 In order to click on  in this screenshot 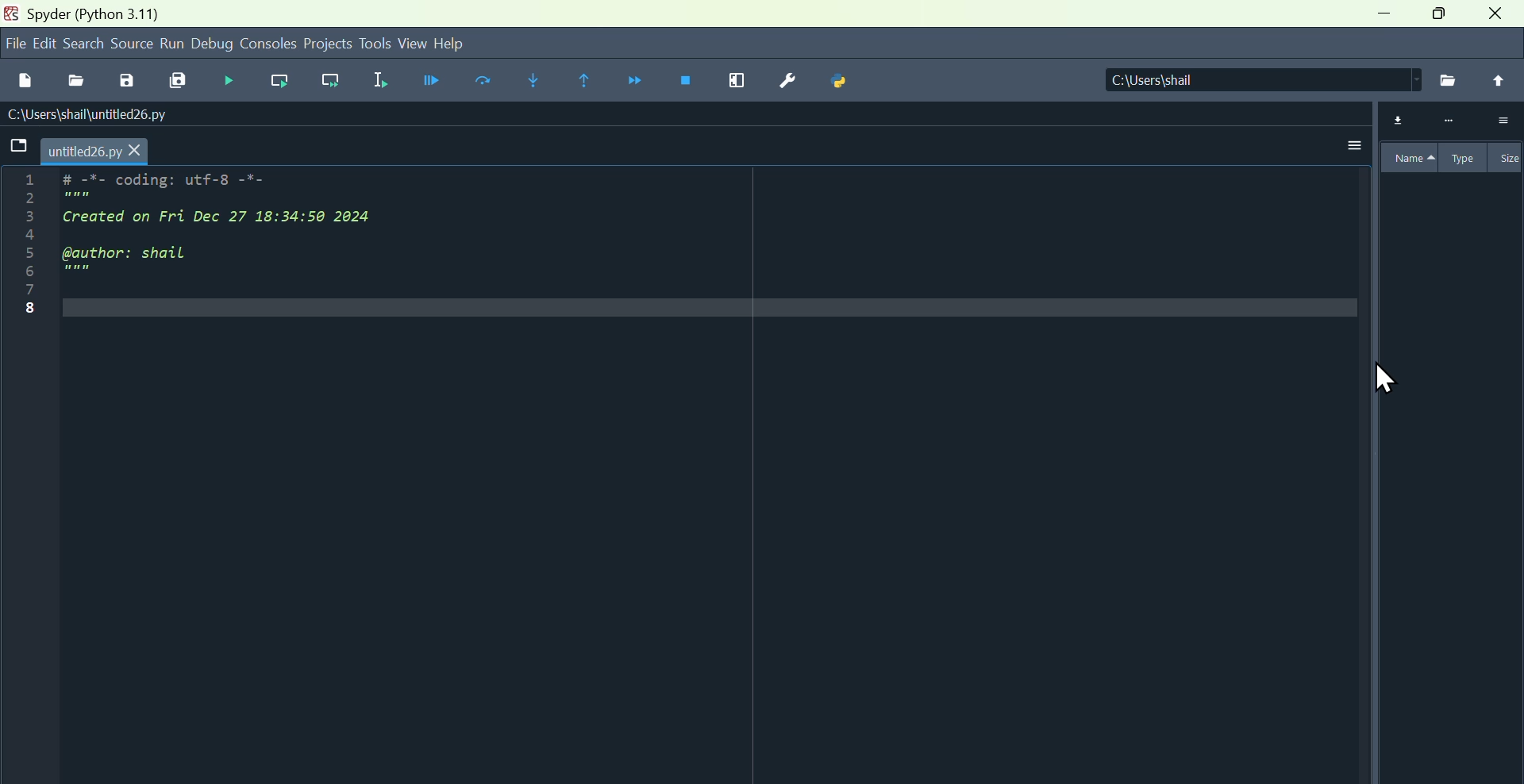, I will do `click(44, 43)`.